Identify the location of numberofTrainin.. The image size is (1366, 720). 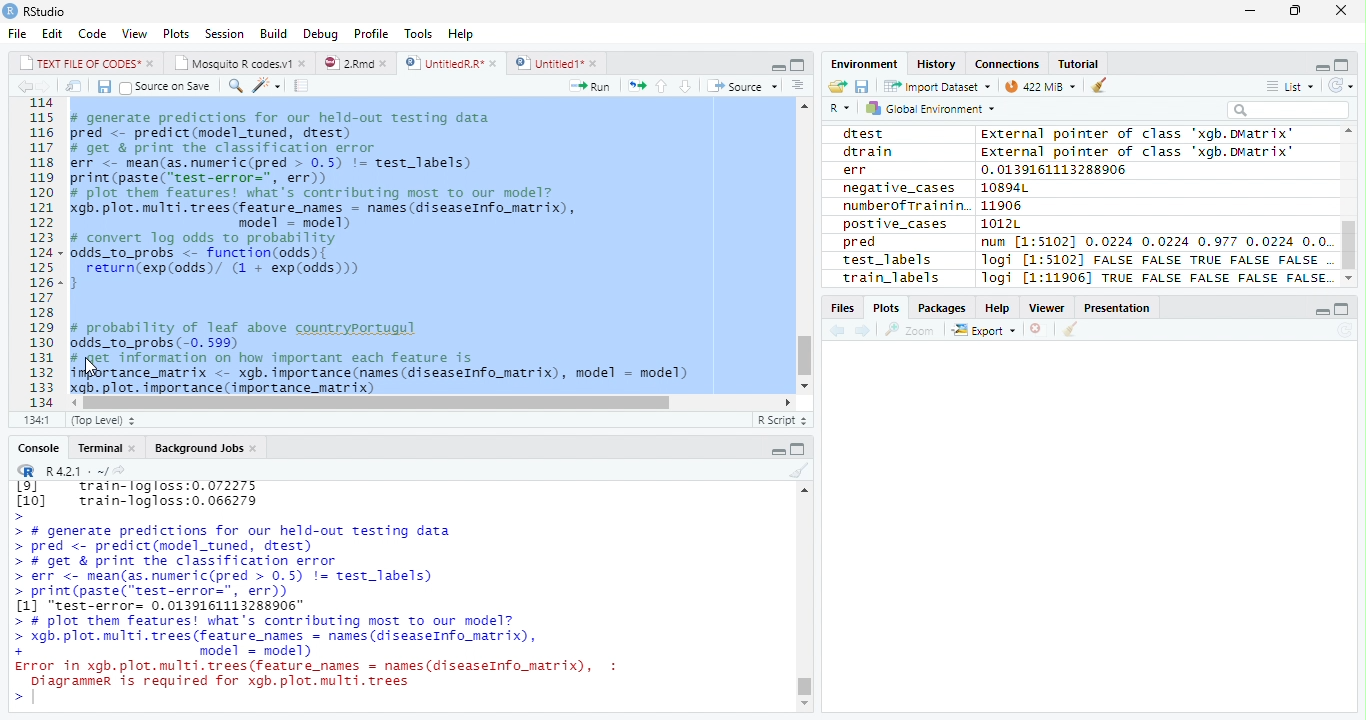
(904, 205).